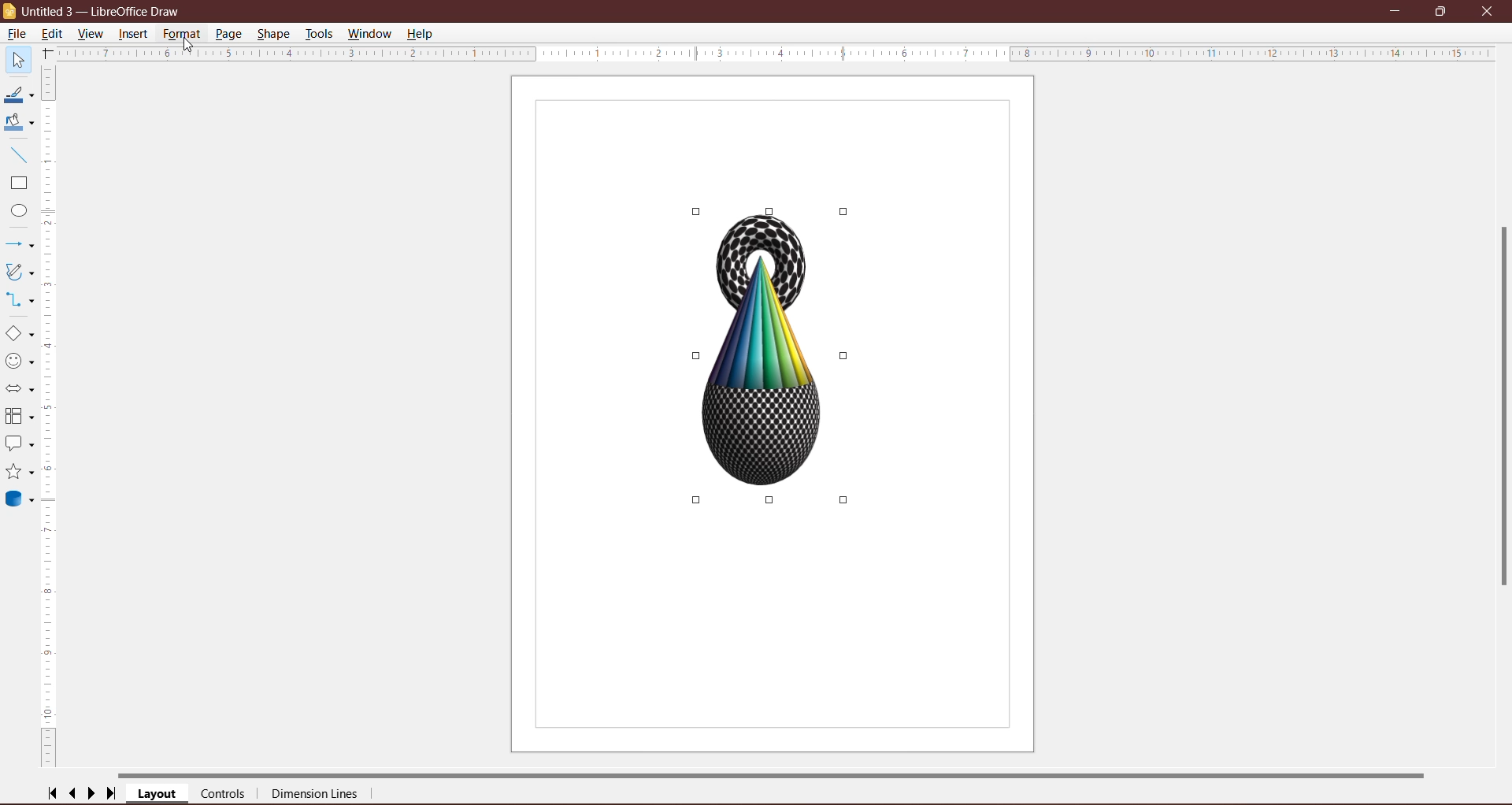 The height and width of the screenshot is (805, 1512). Describe the element at coordinates (91, 33) in the screenshot. I see `View` at that location.